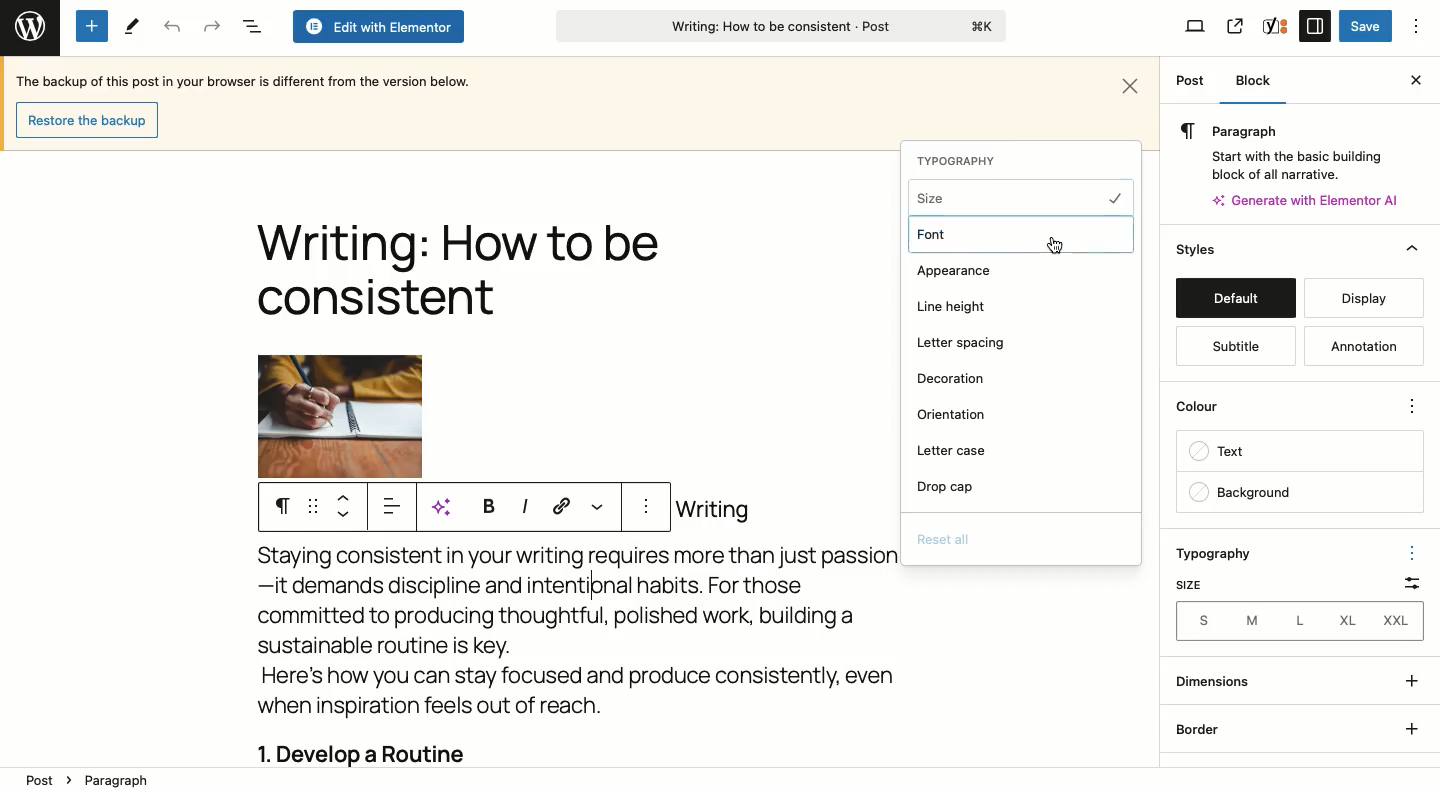  Describe the element at coordinates (38, 780) in the screenshot. I see `Post` at that location.